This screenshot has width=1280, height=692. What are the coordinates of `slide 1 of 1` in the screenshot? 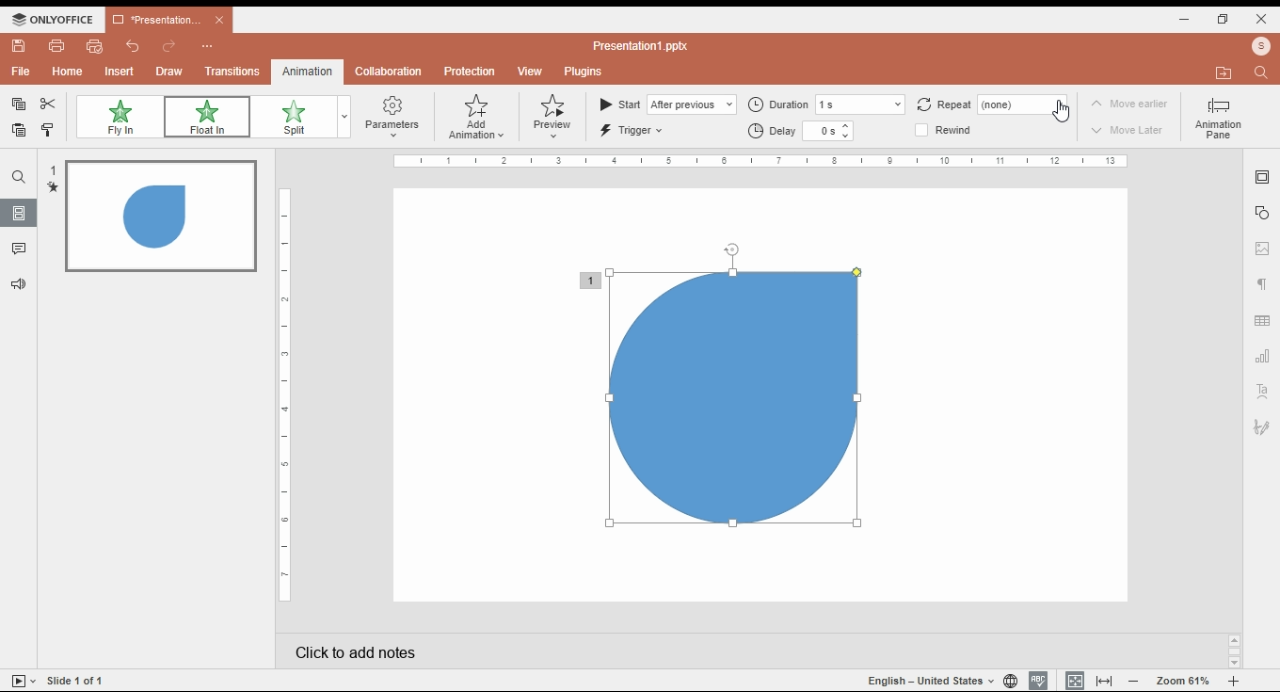 It's located at (80, 680).